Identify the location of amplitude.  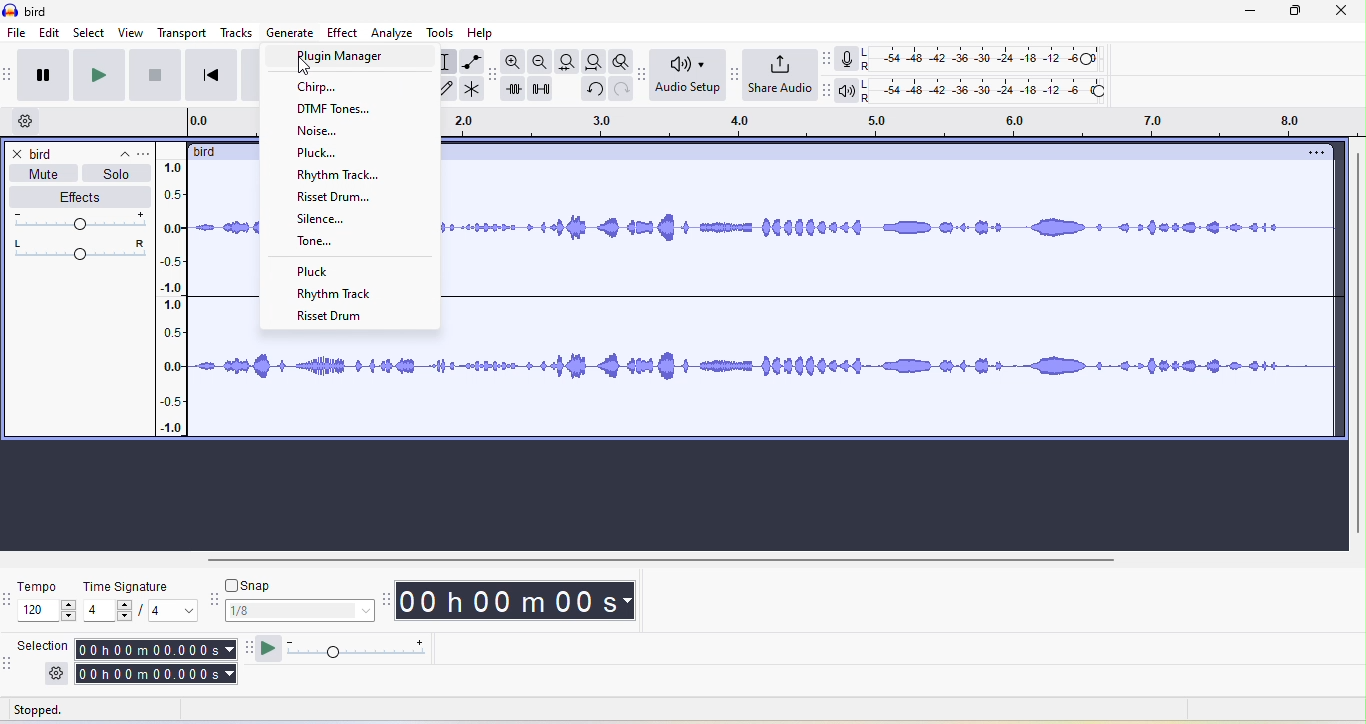
(177, 298).